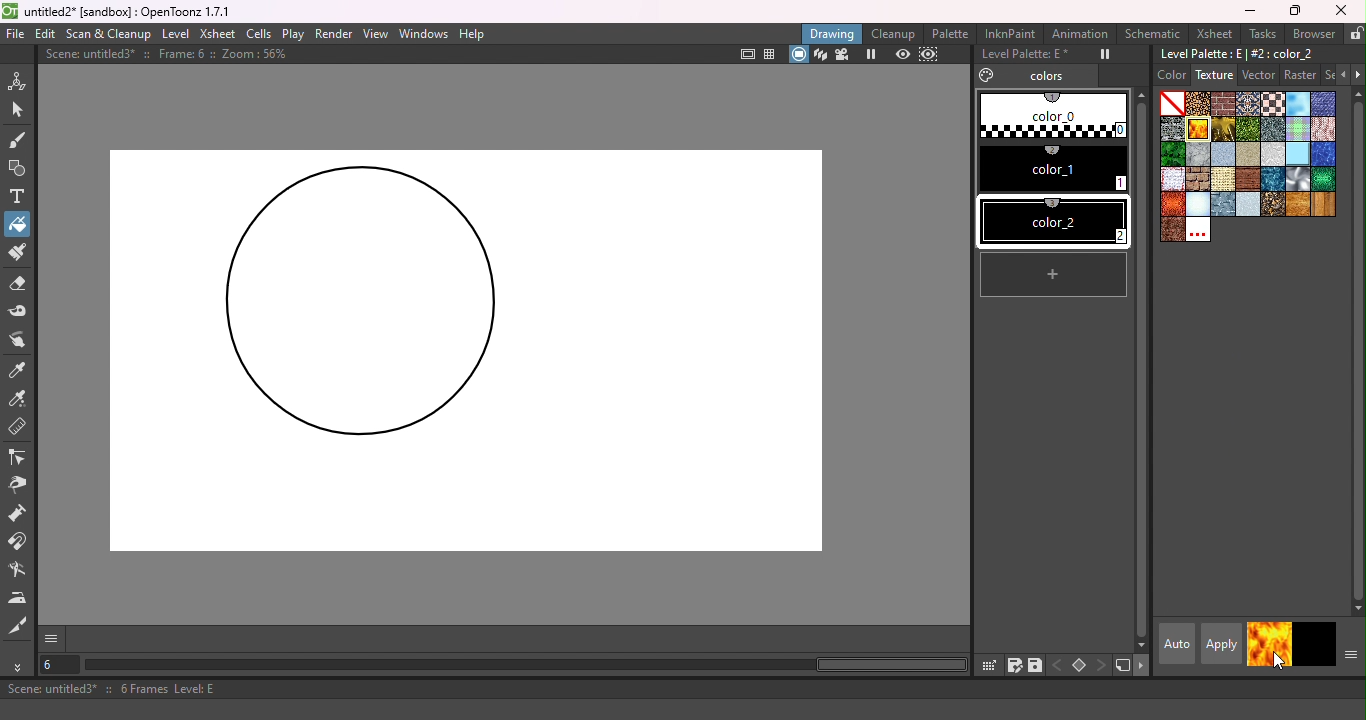  What do you see at coordinates (1260, 34) in the screenshot?
I see `Tasks` at bounding box center [1260, 34].